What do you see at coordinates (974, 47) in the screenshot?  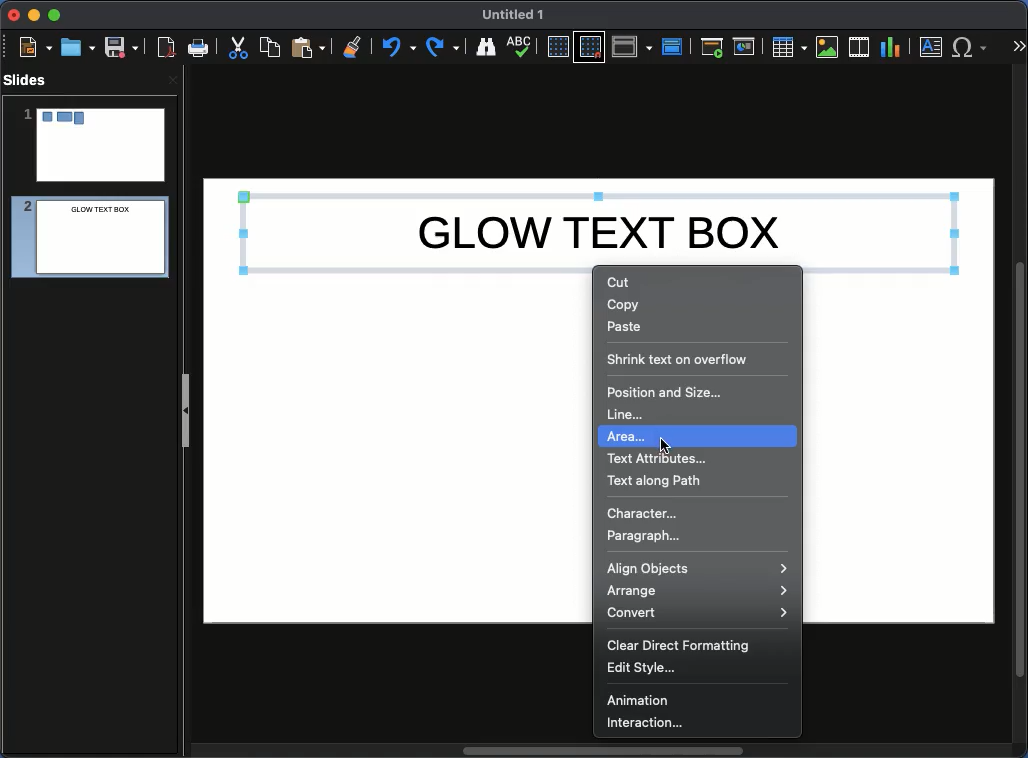 I see `Special characters` at bounding box center [974, 47].